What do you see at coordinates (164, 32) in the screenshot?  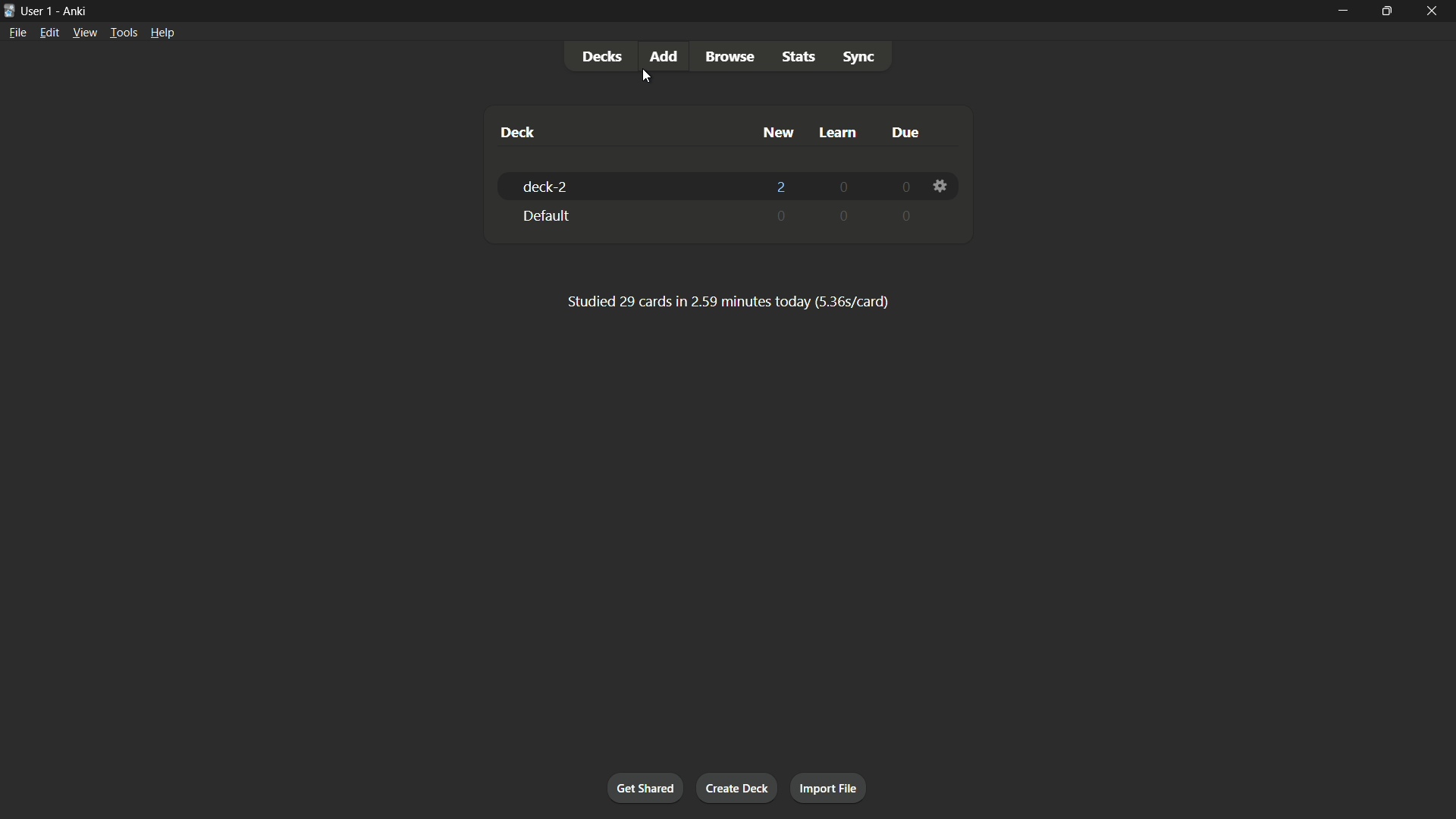 I see `help menu` at bounding box center [164, 32].